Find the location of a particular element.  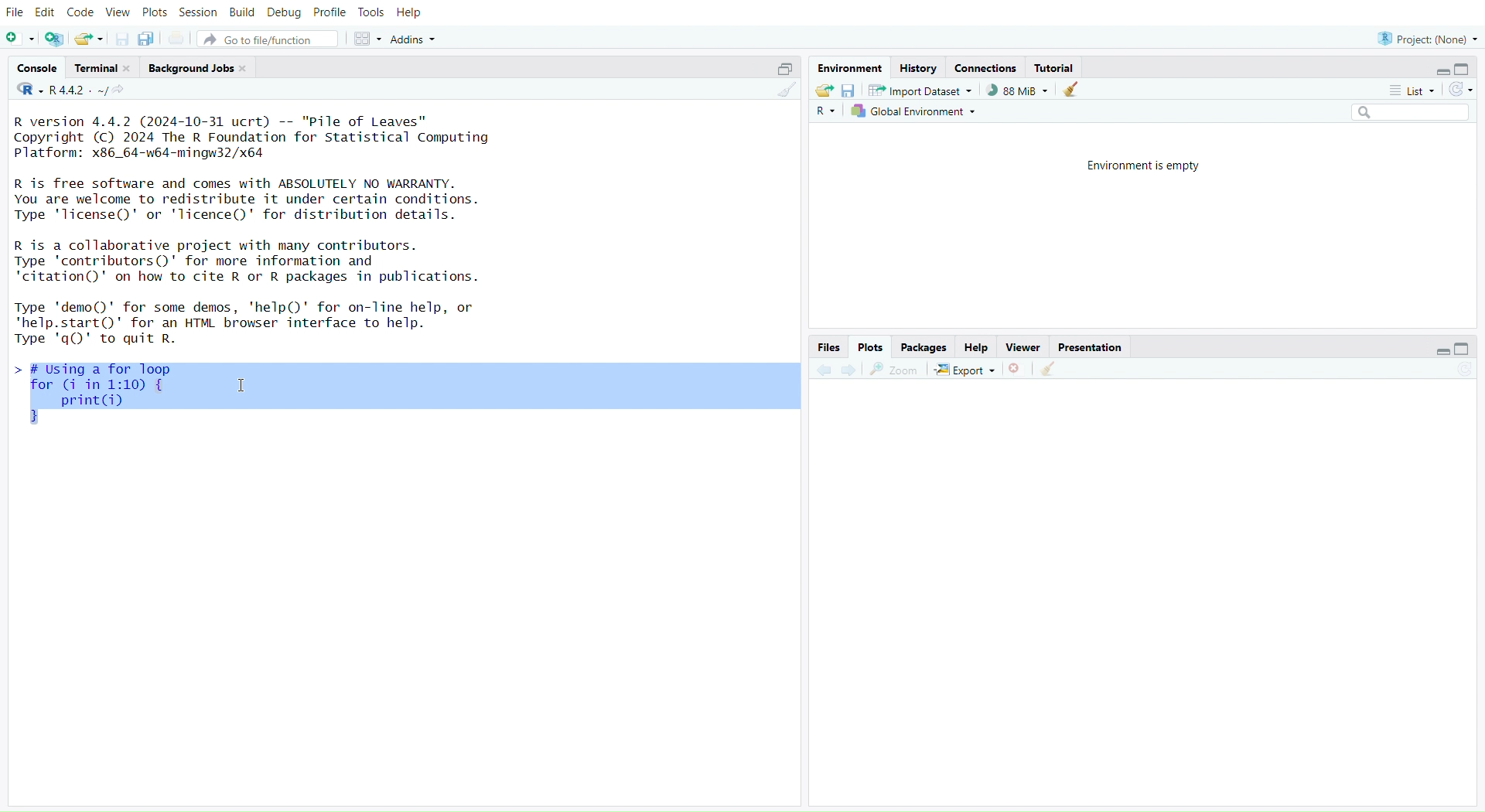

88mib is located at coordinates (1018, 91).